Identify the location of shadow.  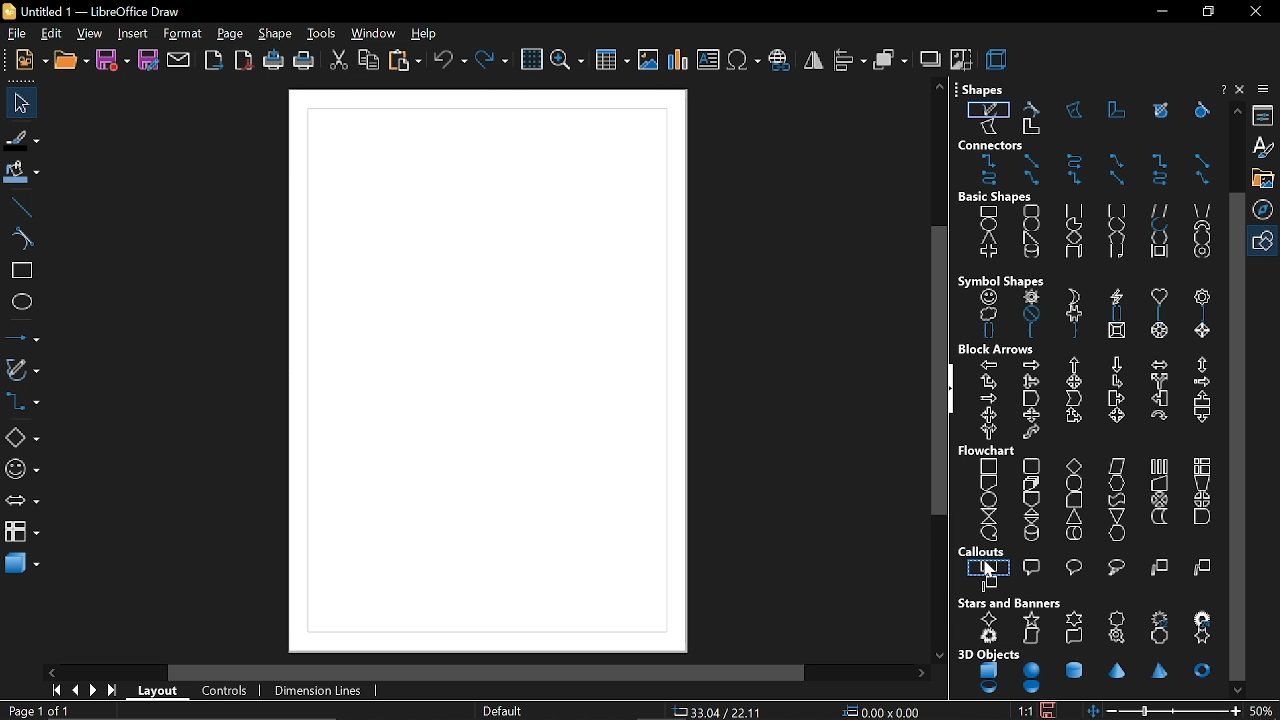
(929, 58).